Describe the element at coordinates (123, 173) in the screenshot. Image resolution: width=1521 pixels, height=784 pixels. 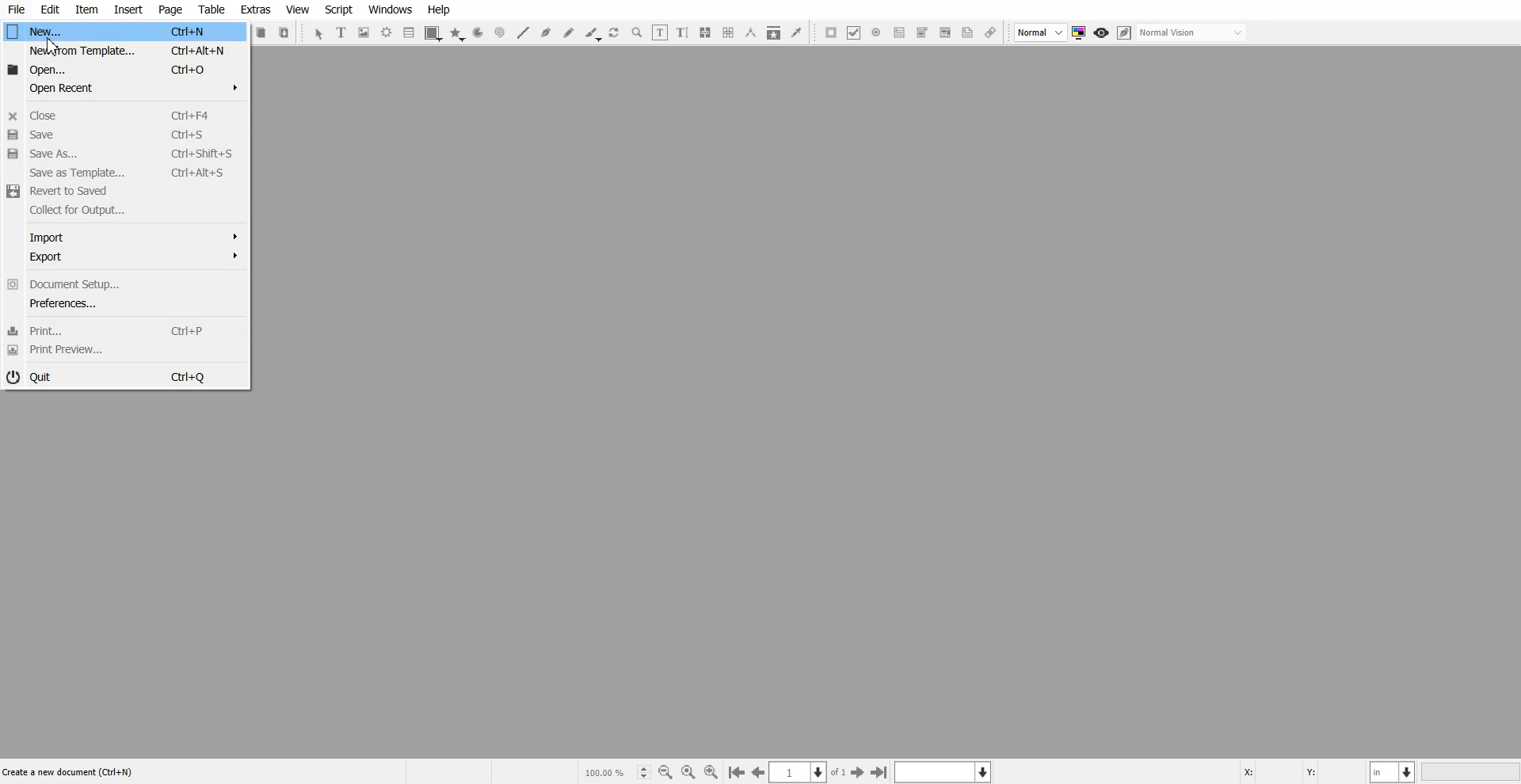
I see `Save as Template` at that location.